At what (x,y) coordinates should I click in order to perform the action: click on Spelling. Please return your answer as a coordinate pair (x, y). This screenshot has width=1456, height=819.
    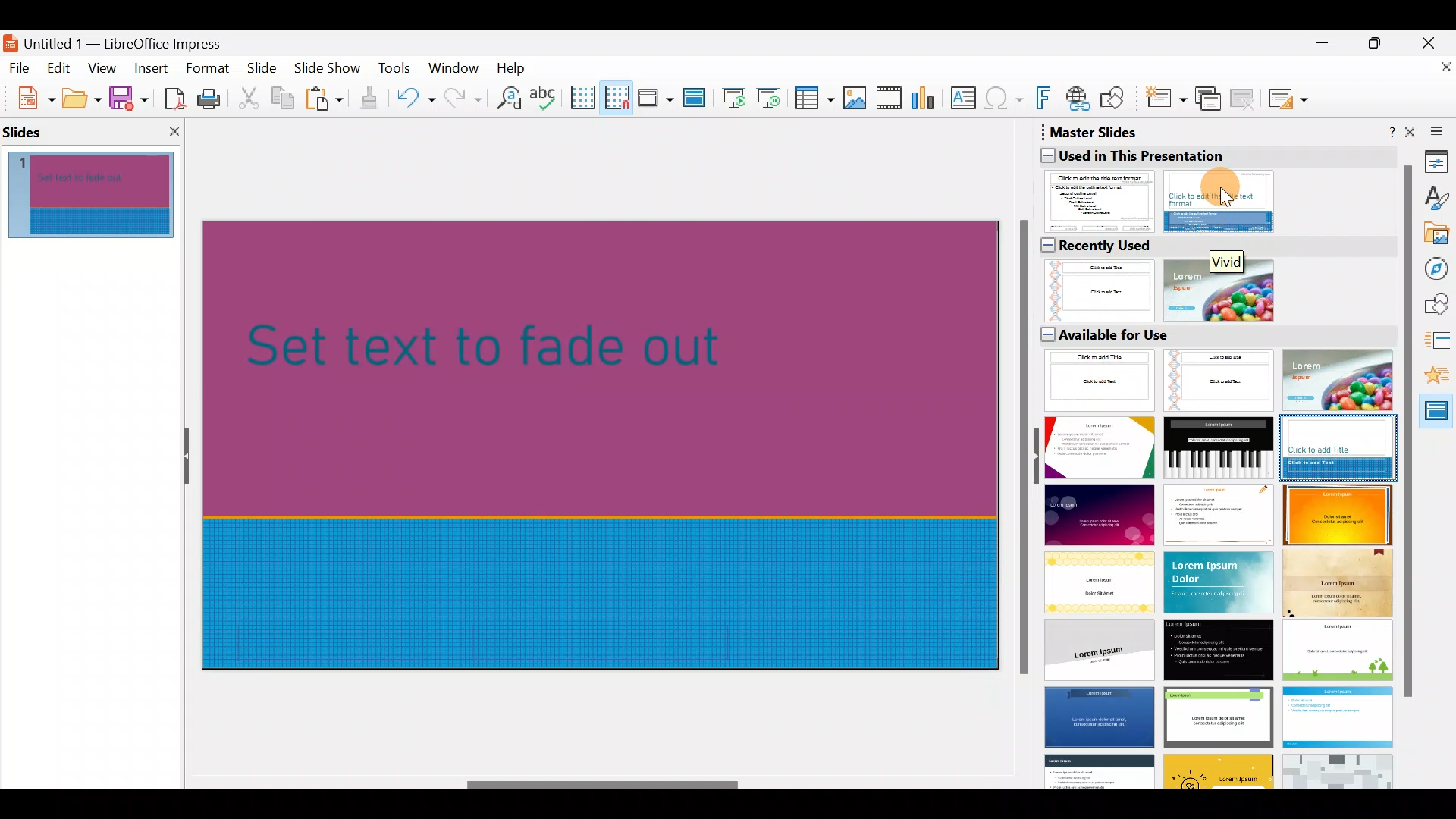
    Looking at the image, I should click on (545, 97).